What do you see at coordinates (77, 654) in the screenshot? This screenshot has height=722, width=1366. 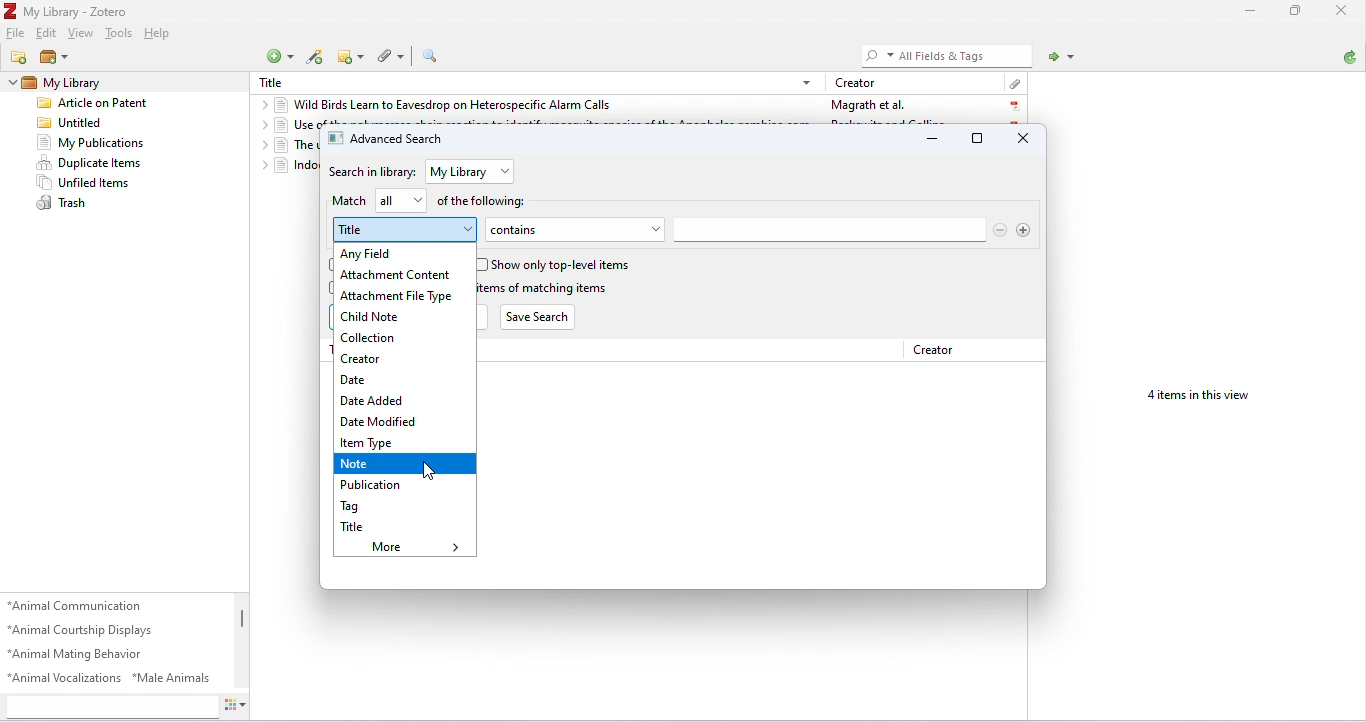 I see `animal mating behavior` at bounding box center [77, 654].